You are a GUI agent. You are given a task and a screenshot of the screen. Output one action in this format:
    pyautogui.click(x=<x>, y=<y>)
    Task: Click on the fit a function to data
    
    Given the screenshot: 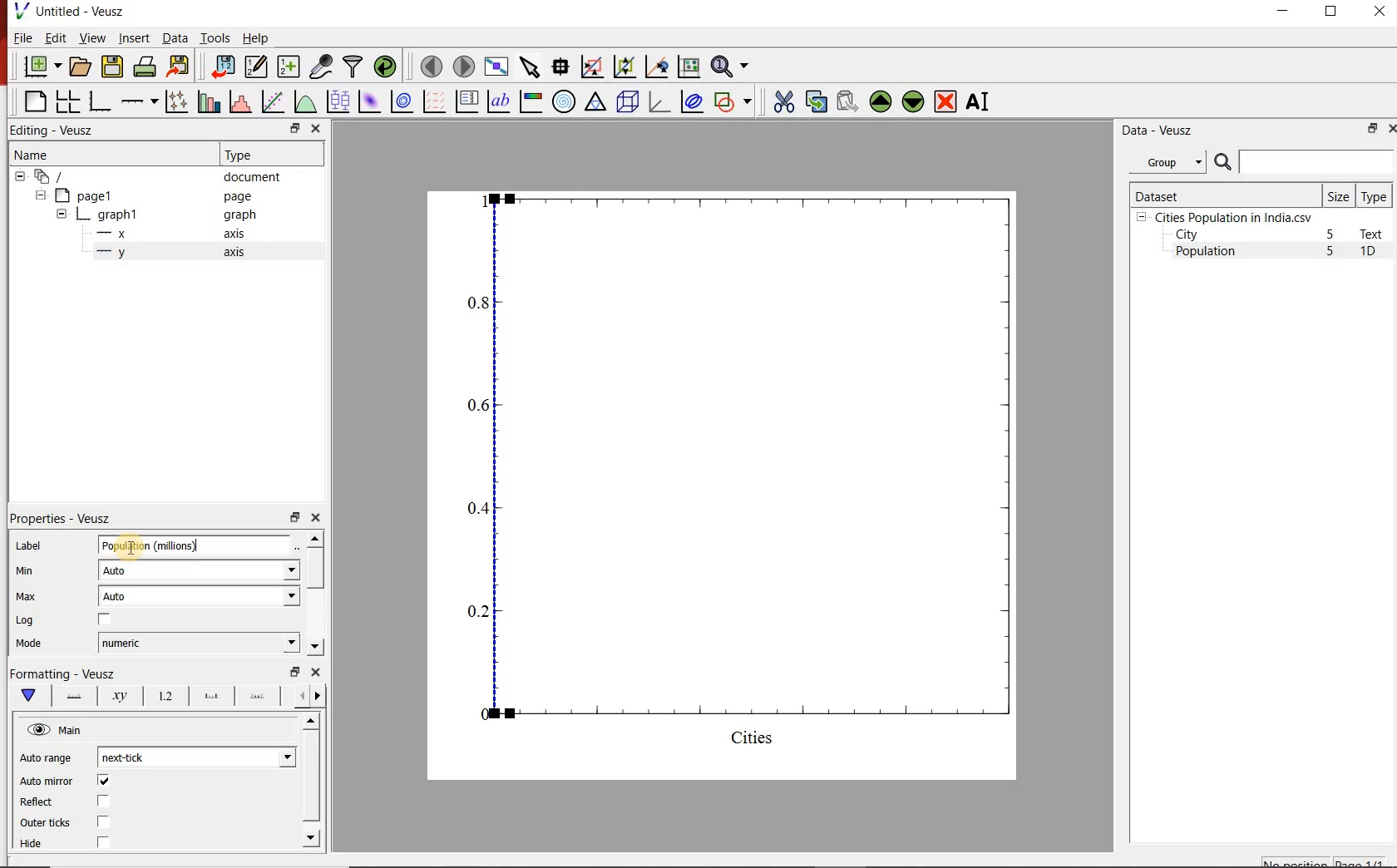 What is the action you would take?
    pyautogui.click(x=272, y=101)
    